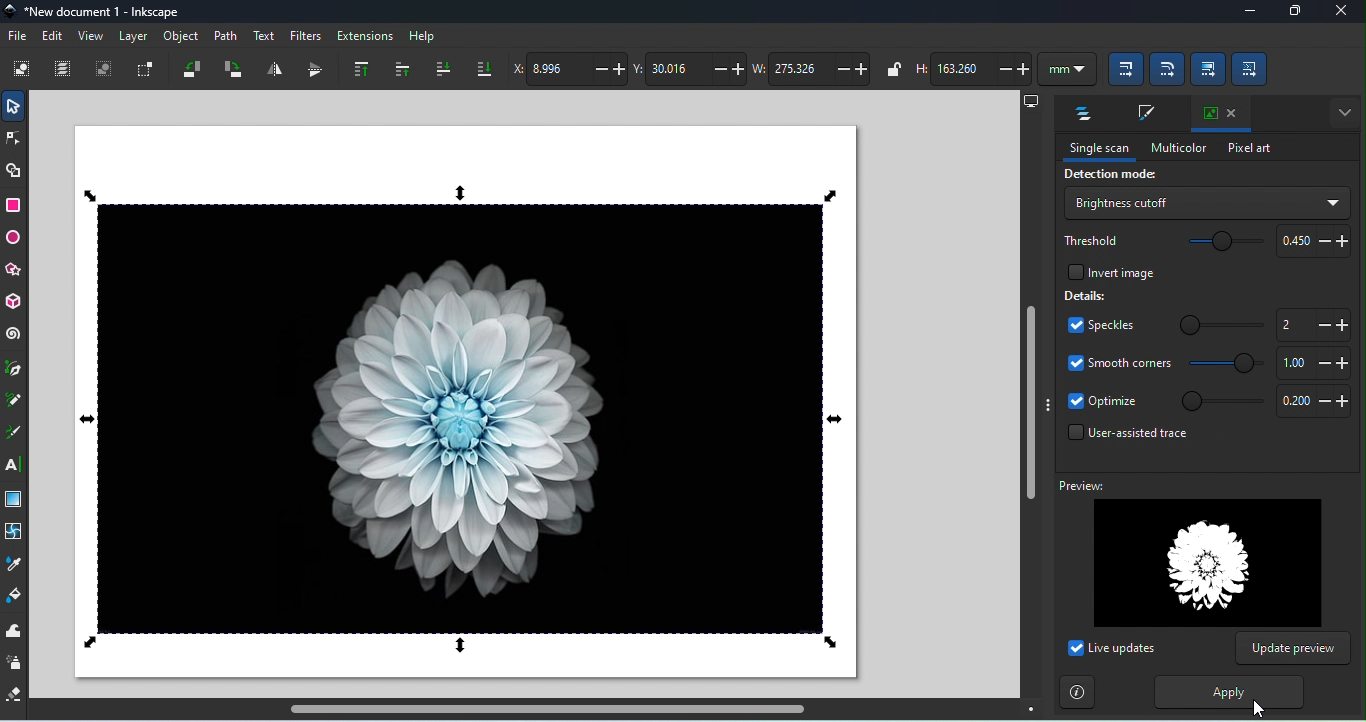  Describe the element at coordinates (1066, 70) in the screenshot. I see `Units` at that location.